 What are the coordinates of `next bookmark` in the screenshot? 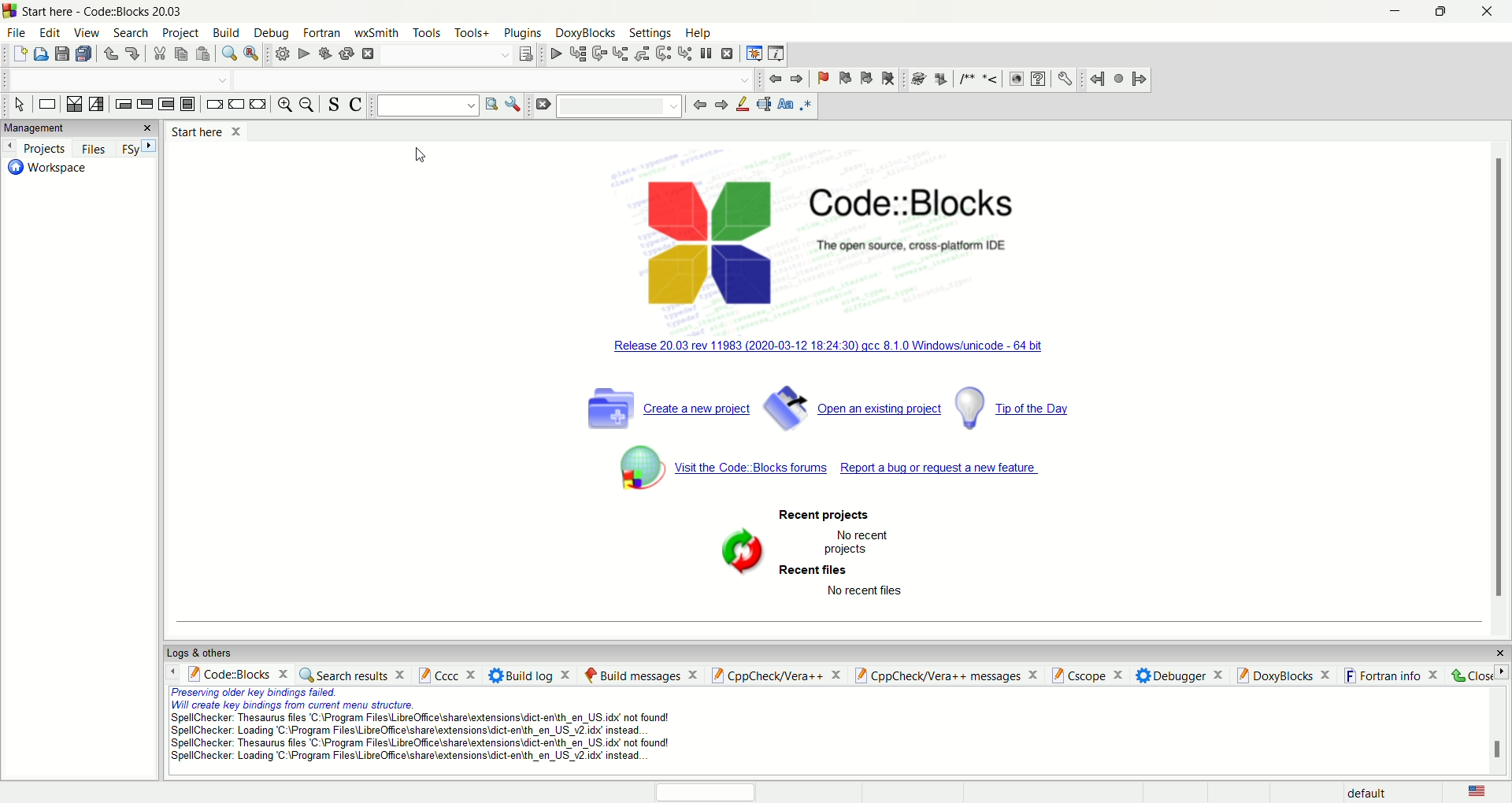 It's located at (866, 79).